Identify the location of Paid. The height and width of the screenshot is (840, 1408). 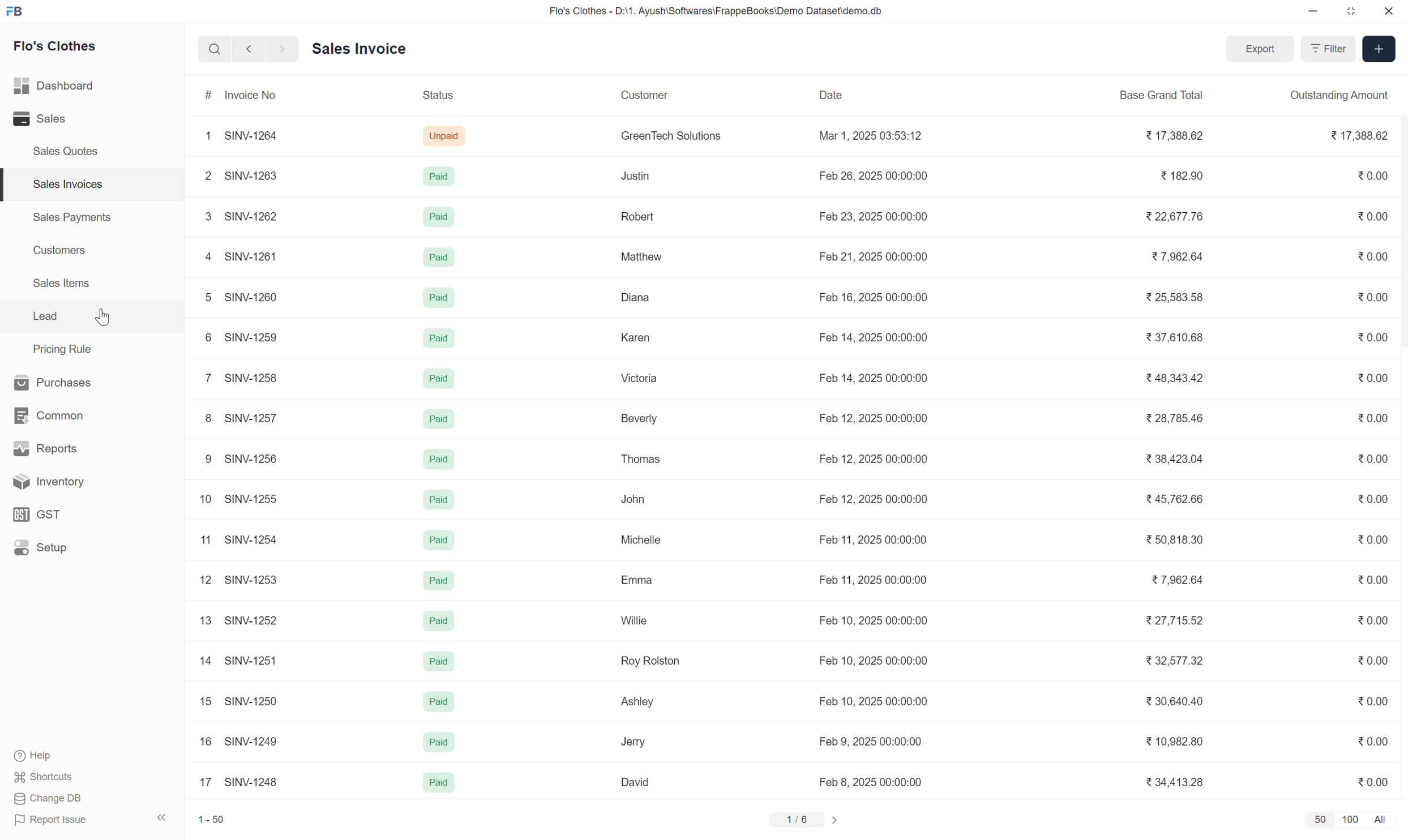
(436, 258).